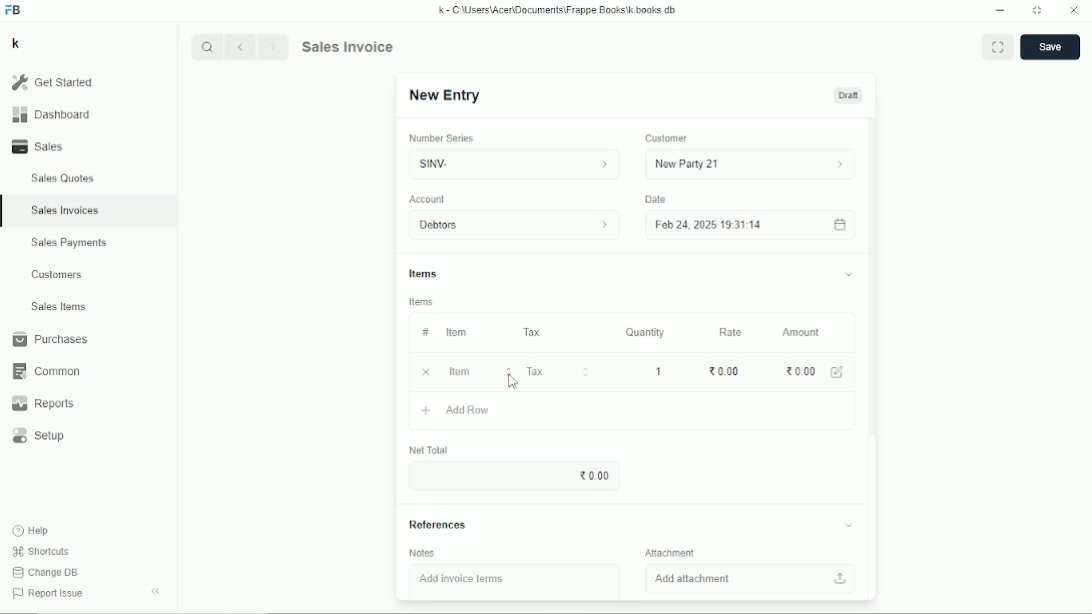 The width and height of the screenshot is (1092, 614). What do you see at coordinates (51, 114) in the screenshot?
I see `Dashboard` at bounding box center [51, 114].